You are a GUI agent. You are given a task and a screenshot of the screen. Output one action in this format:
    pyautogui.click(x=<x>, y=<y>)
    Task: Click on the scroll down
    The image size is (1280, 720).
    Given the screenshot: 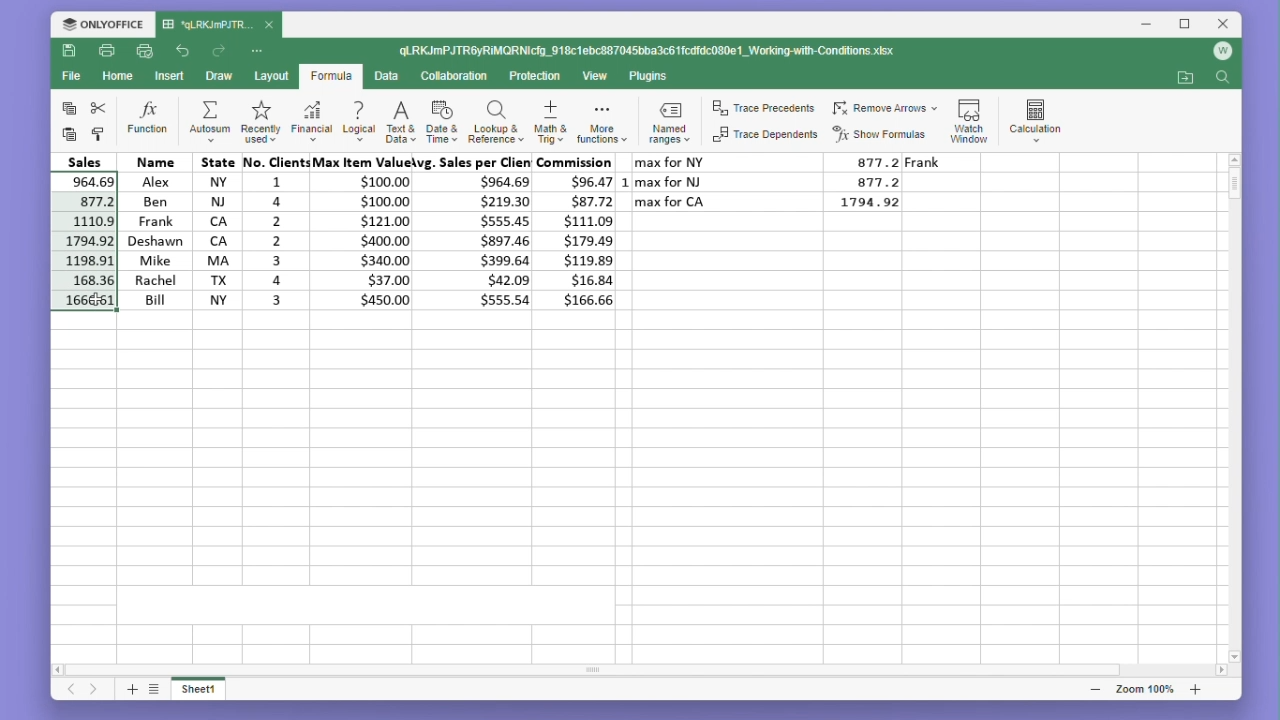 What is the action you would take?
    pyautogui.click(x=1235, y=656)
    